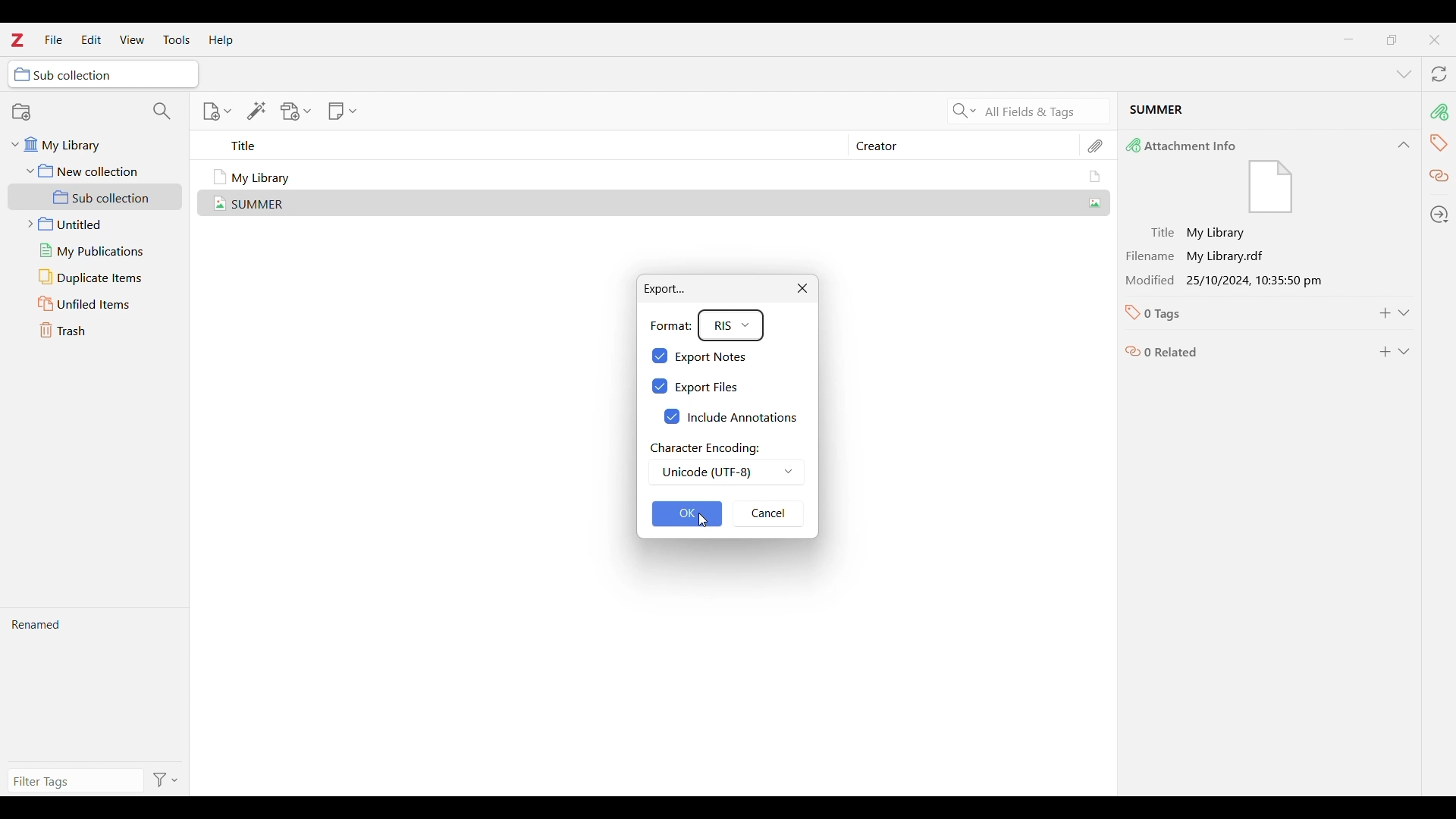 The height and width of the screenshot is (819, 1456). What do you see at coordinates (97, 196) in the screenshot?
I see `Sub collection` at bounding box center [97, 196].